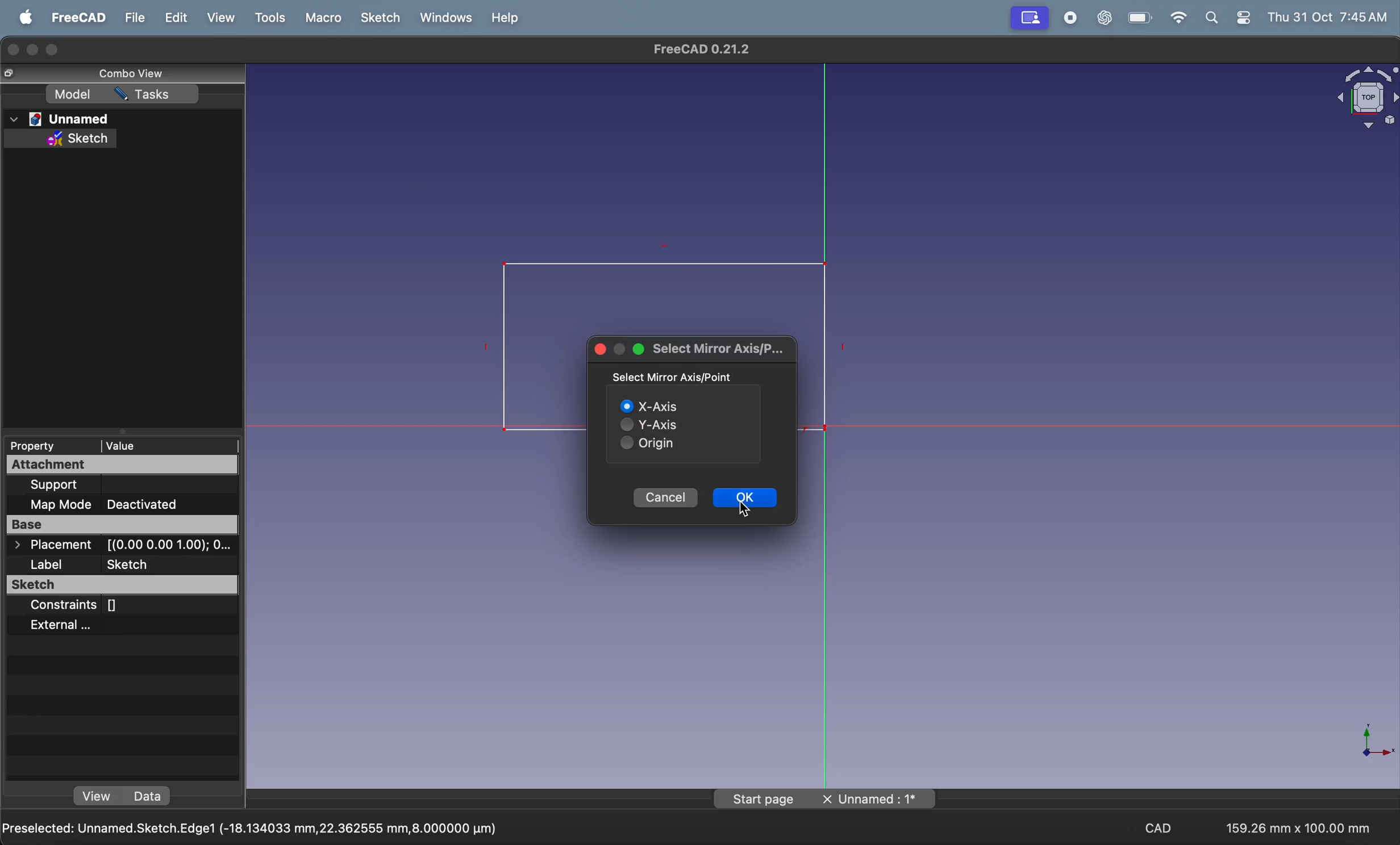 Image resolution: width=1400 pixels, height=845 pixels. I want to click on minimize, so click(34, 48).